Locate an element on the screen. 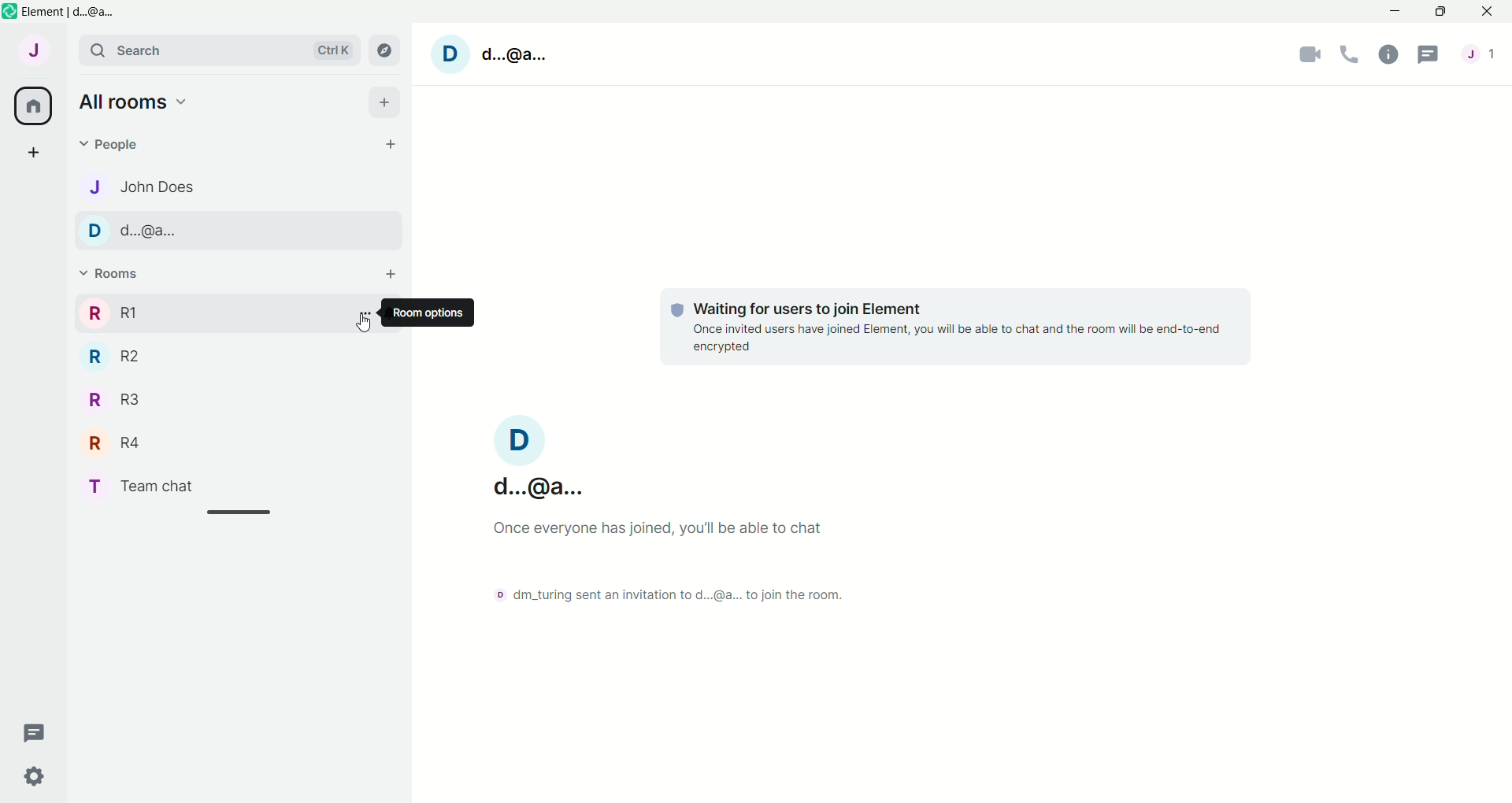 Image resolution: width=1512 pixels, height=803 pixels. d...@a...Ince everyone has joined, you'll be able to chat> dm_turing sent an invitation to d...@a... to join the room. is located at coordinates (676, 542).